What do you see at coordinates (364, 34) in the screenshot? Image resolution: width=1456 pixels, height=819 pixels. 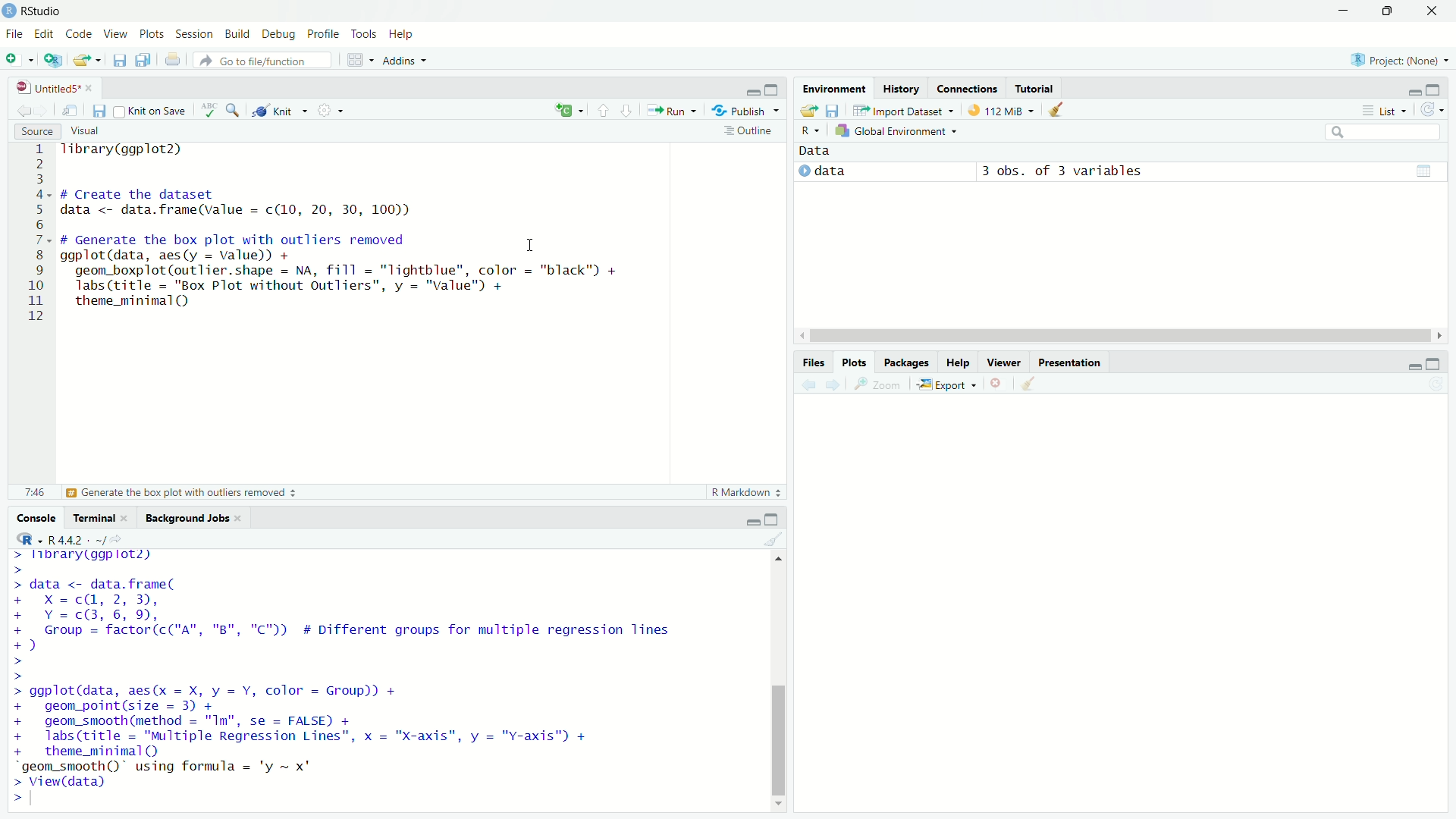 I see `Tools` at bounding box center [364, 34].